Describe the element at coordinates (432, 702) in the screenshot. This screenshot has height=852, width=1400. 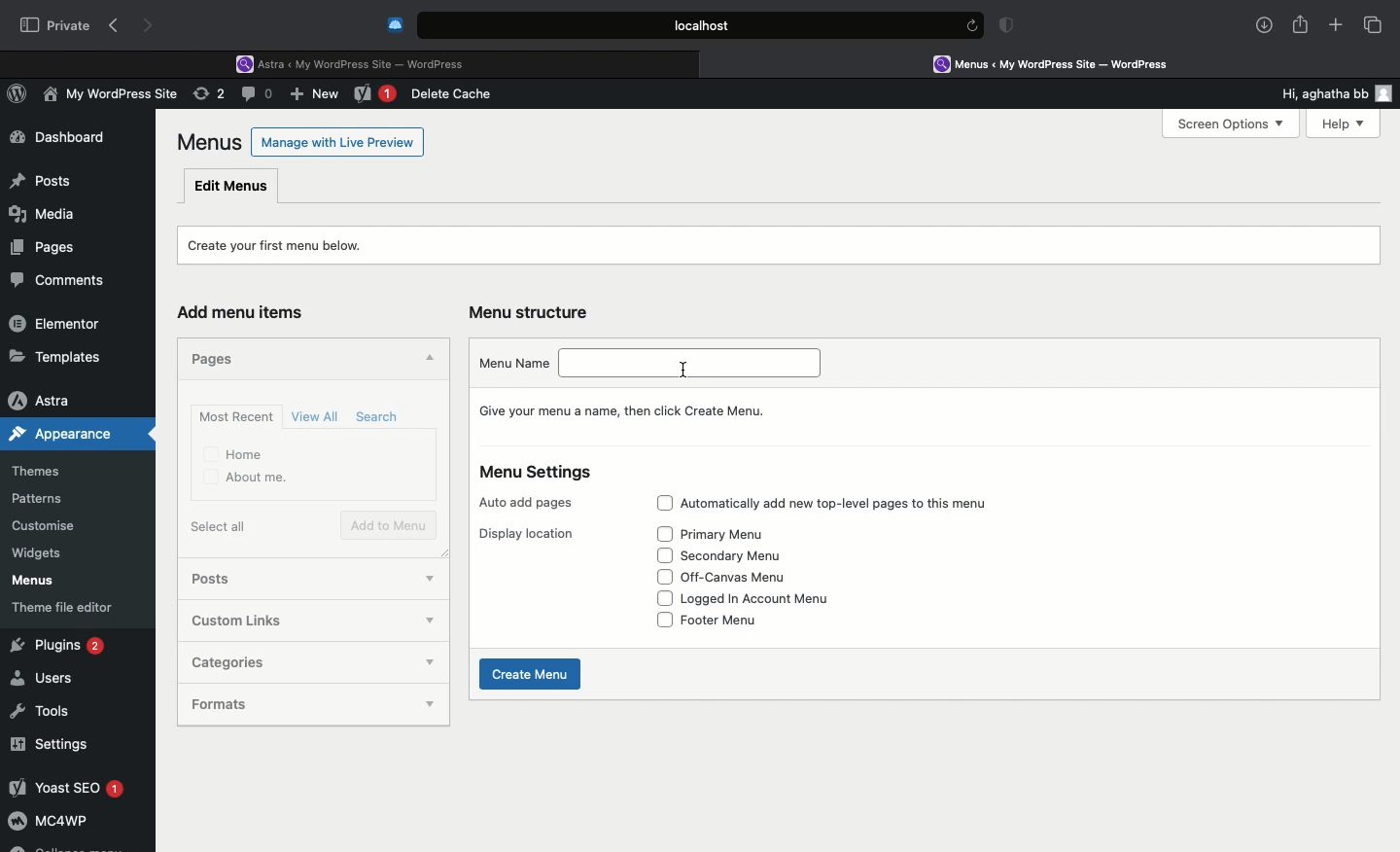
I see `Show` at that location.